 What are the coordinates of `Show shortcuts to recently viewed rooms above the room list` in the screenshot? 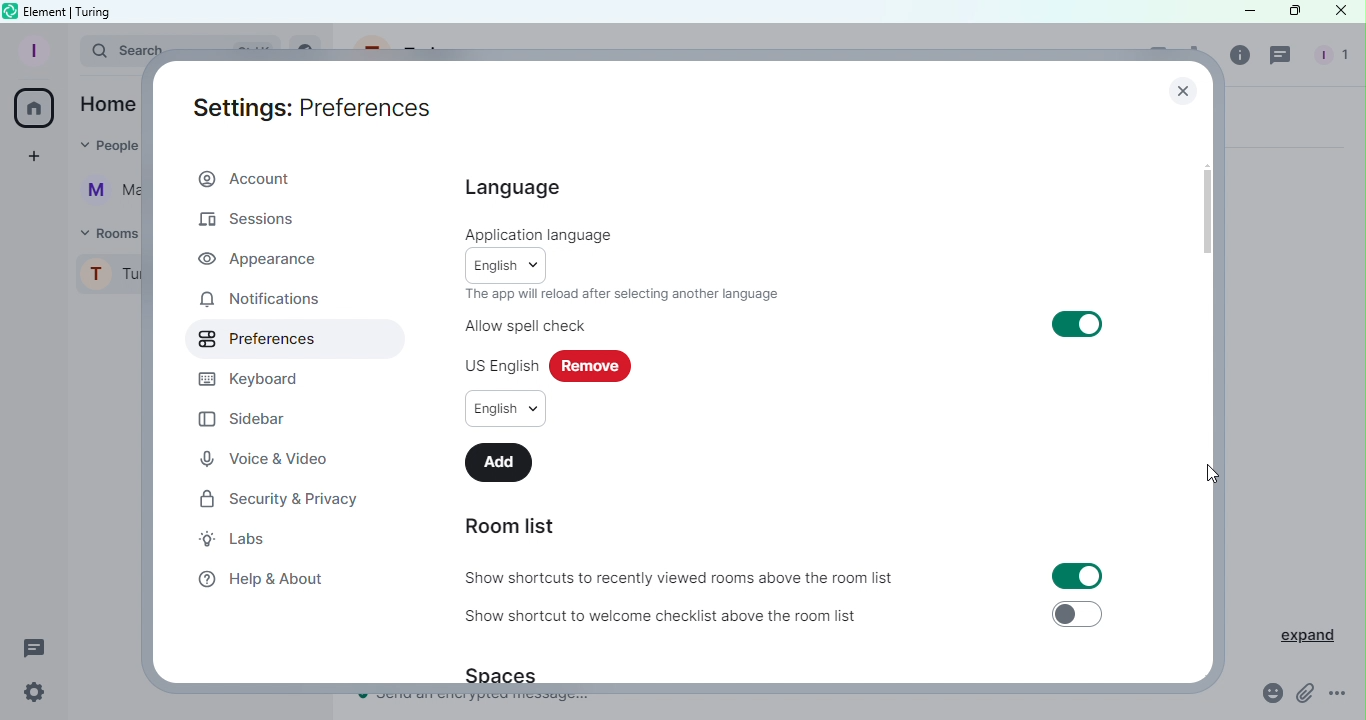 It's located at (682, 579).